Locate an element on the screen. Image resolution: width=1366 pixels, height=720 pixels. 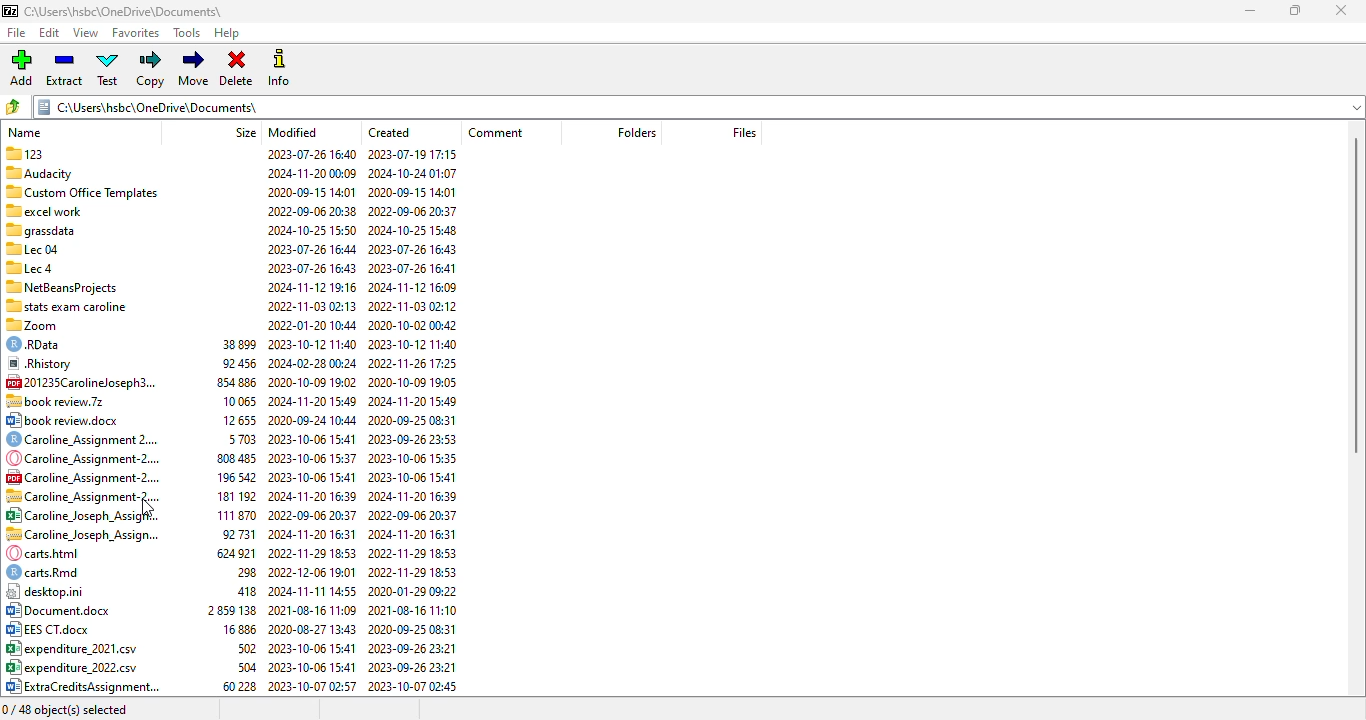
® Rhistory 92456 2024-02-2800:24 2022-11-26 17:25 is located at coordinates (229, 362).